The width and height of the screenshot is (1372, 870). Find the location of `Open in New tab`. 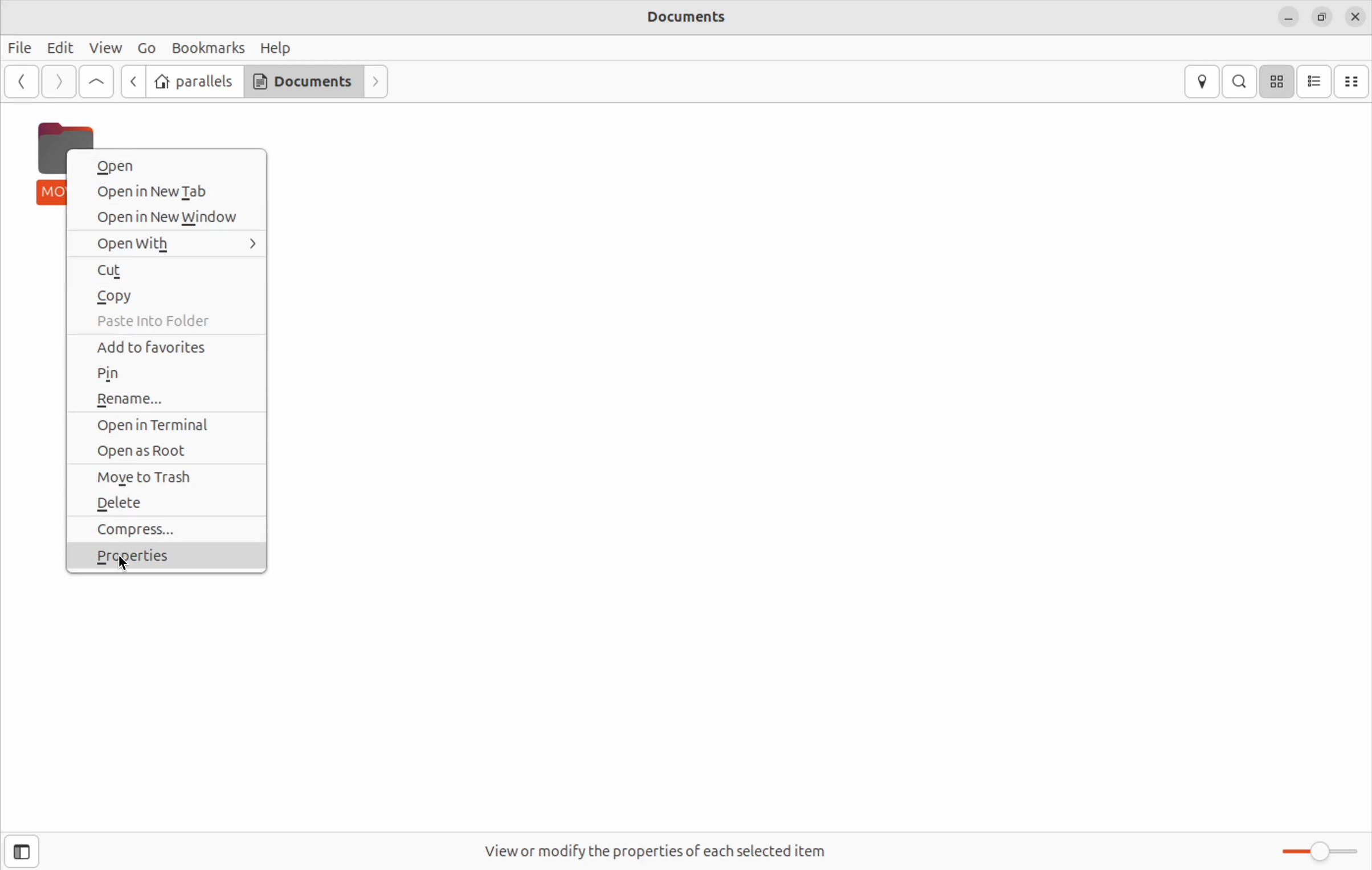

Open in New tab is located at coordinates (165, 191).